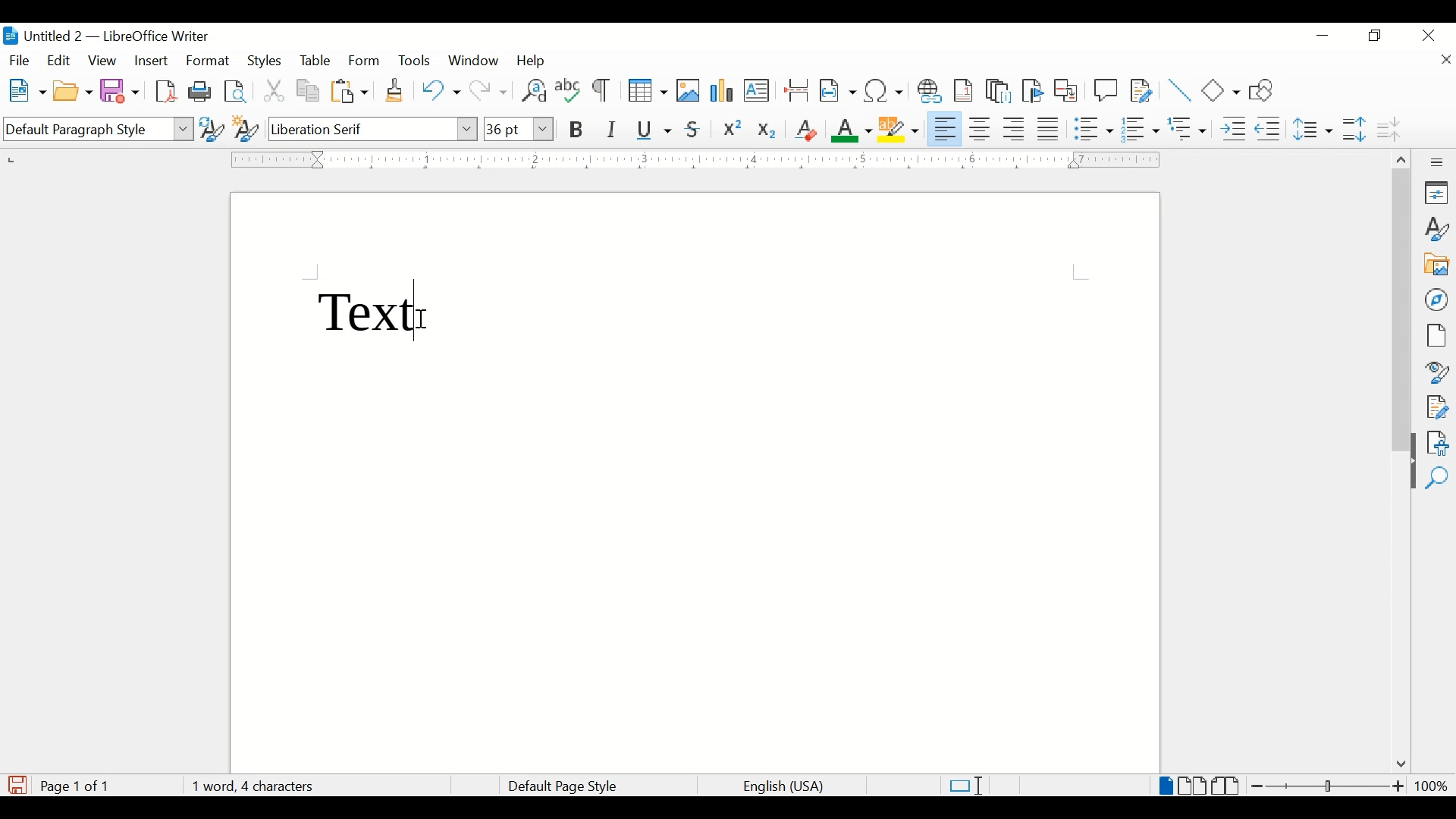 Image resolution: width=1456 pixels, height=819 pixels. I want to click on update selected style, so click(212, 128).